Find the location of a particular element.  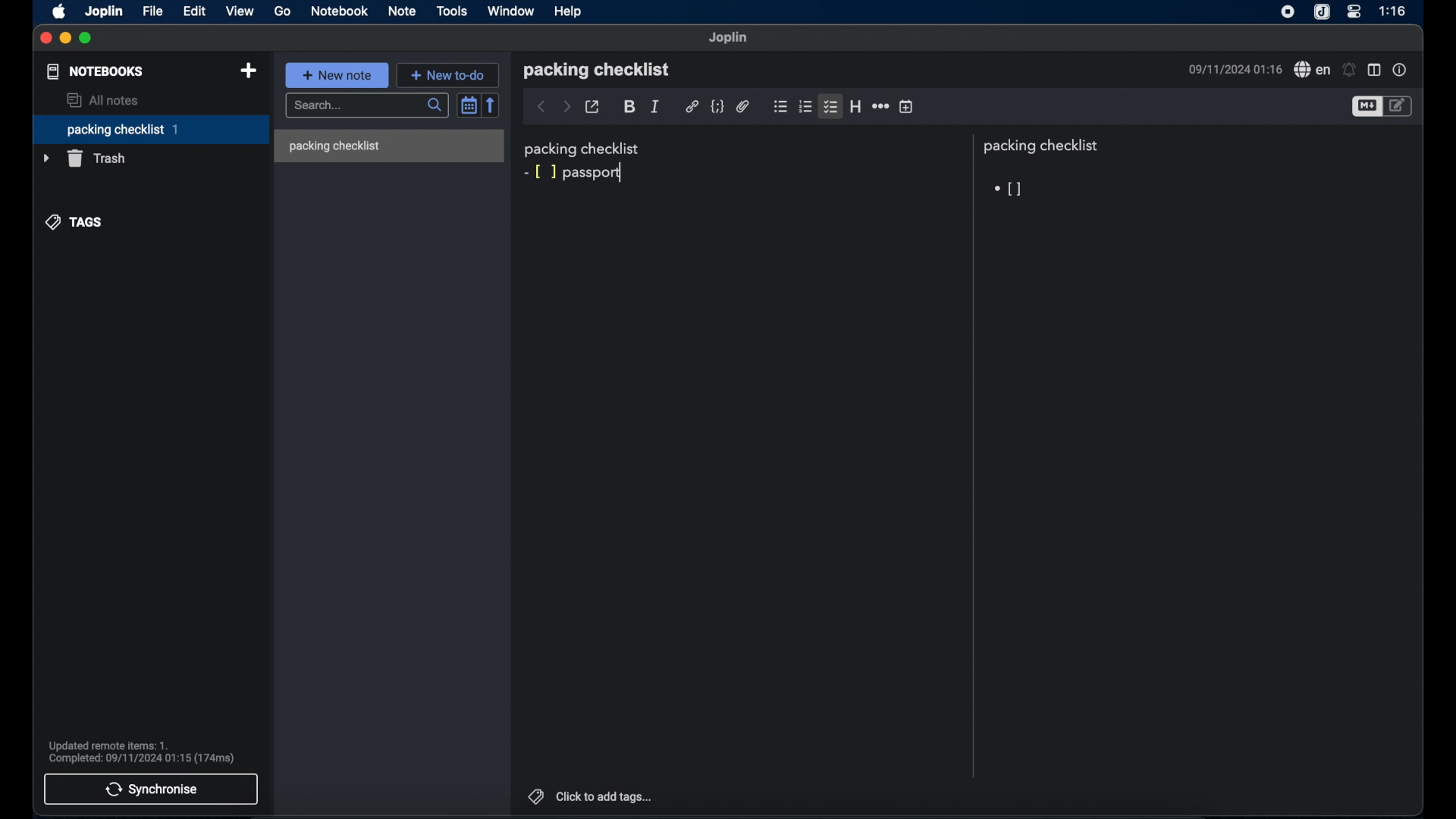

tools is located at coordinates (453, 11).